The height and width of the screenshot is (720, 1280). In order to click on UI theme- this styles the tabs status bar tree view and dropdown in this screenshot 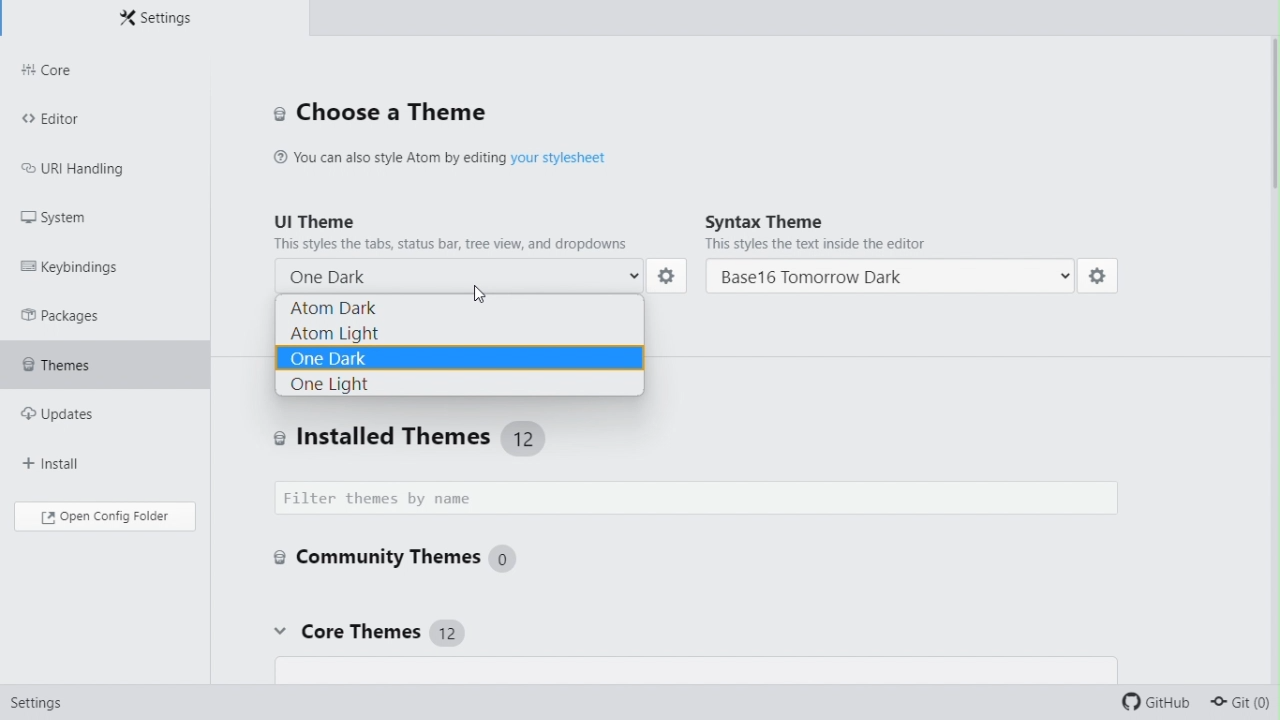, I will do `click(459, 229)`.